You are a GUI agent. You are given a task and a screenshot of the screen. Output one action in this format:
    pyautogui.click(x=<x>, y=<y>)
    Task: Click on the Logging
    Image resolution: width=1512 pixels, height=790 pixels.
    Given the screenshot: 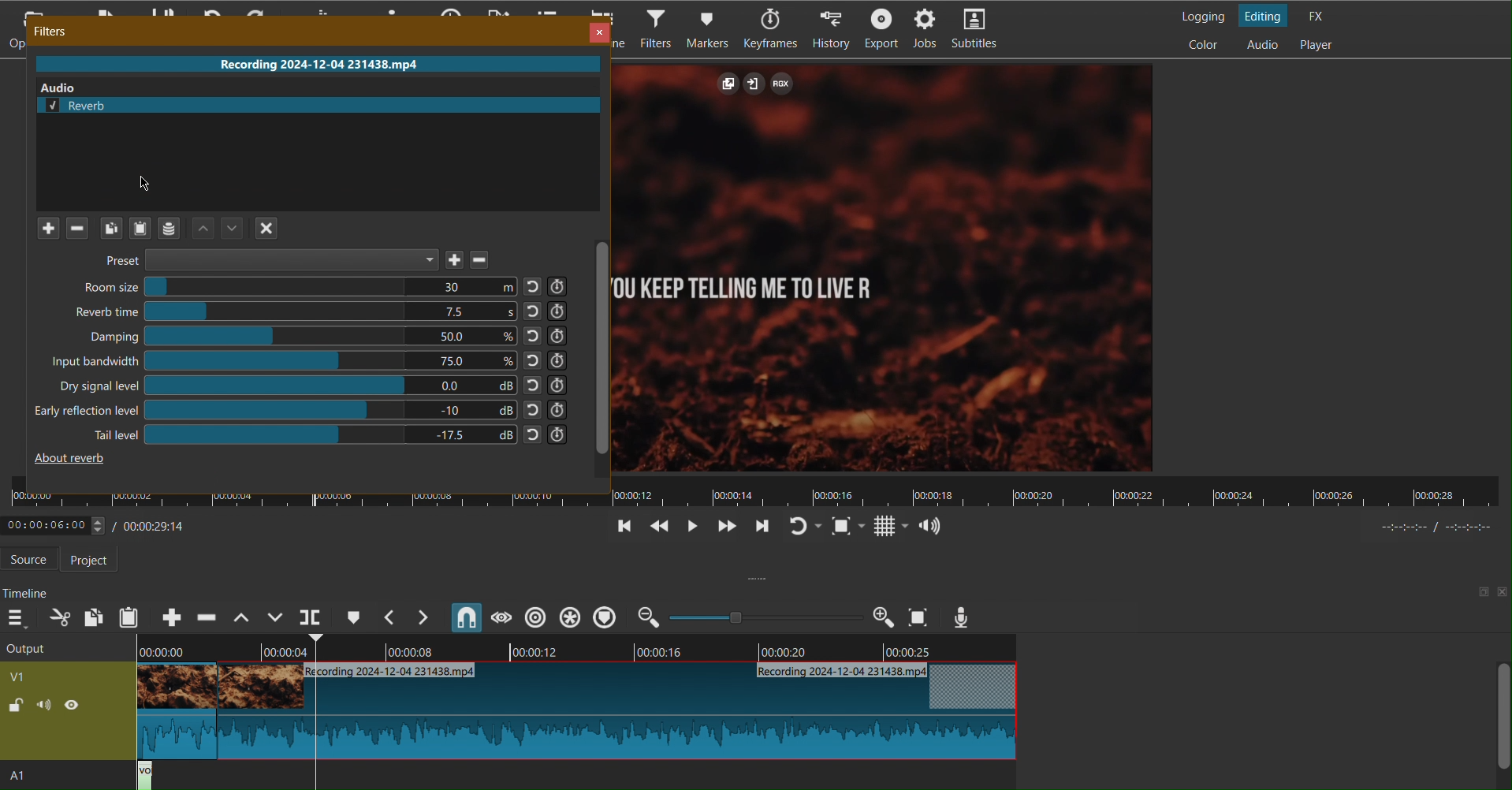 What is the action you would take?
    pyautogui.click(x=1198, y=13)
    